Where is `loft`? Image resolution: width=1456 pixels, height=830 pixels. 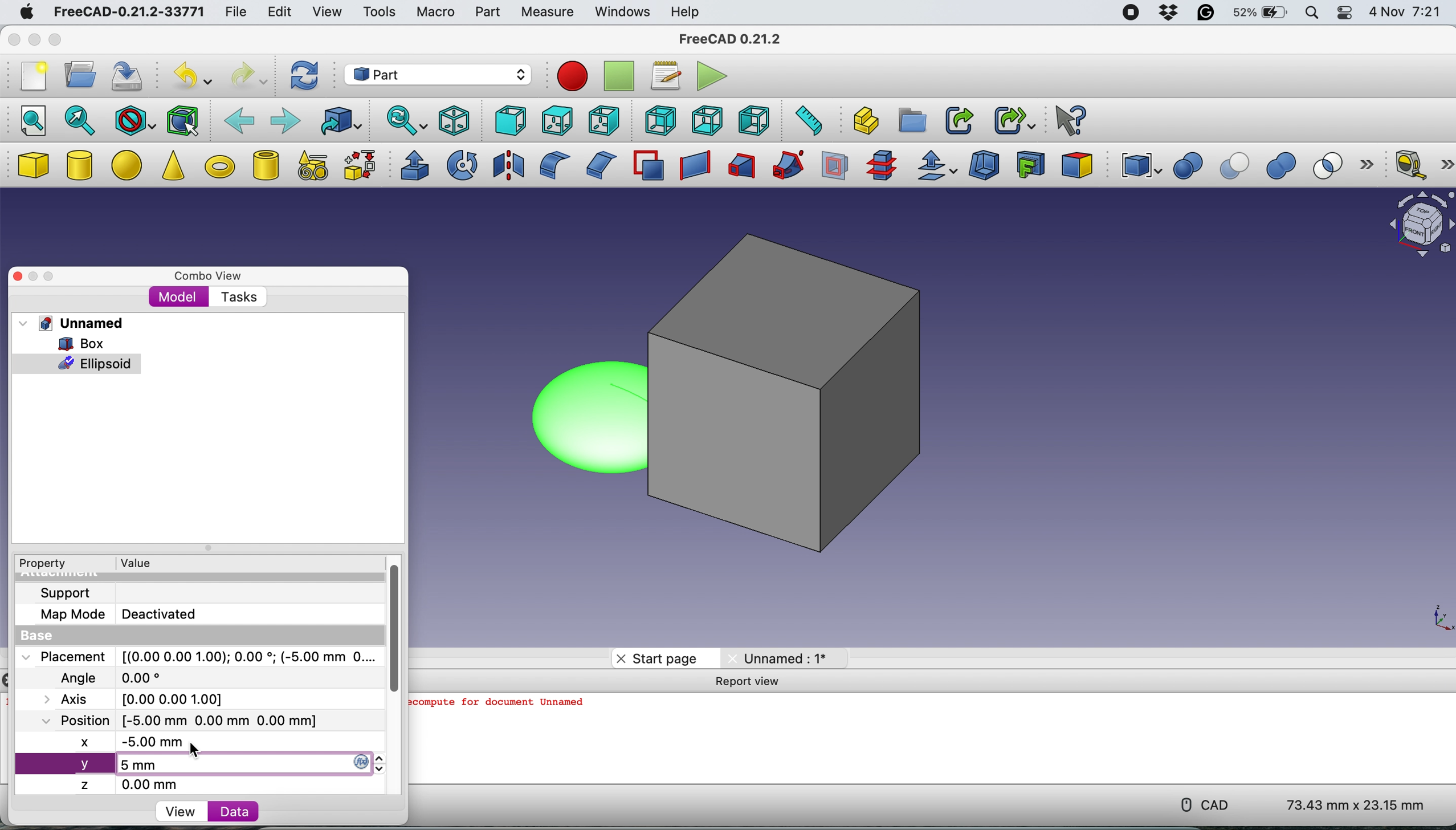 loft is located at coordinates (740, 168).